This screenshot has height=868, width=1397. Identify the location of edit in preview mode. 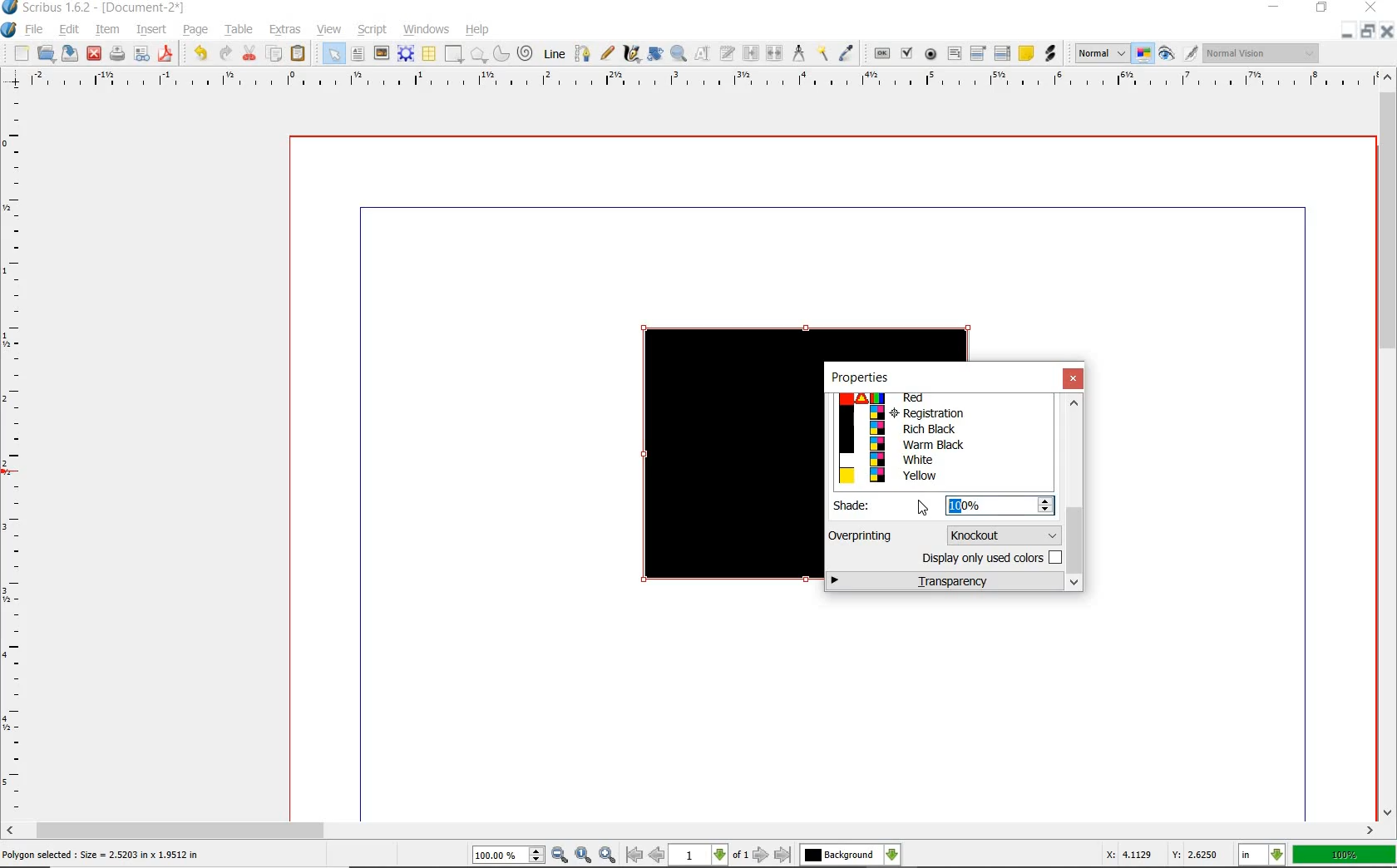
(1190, 53).